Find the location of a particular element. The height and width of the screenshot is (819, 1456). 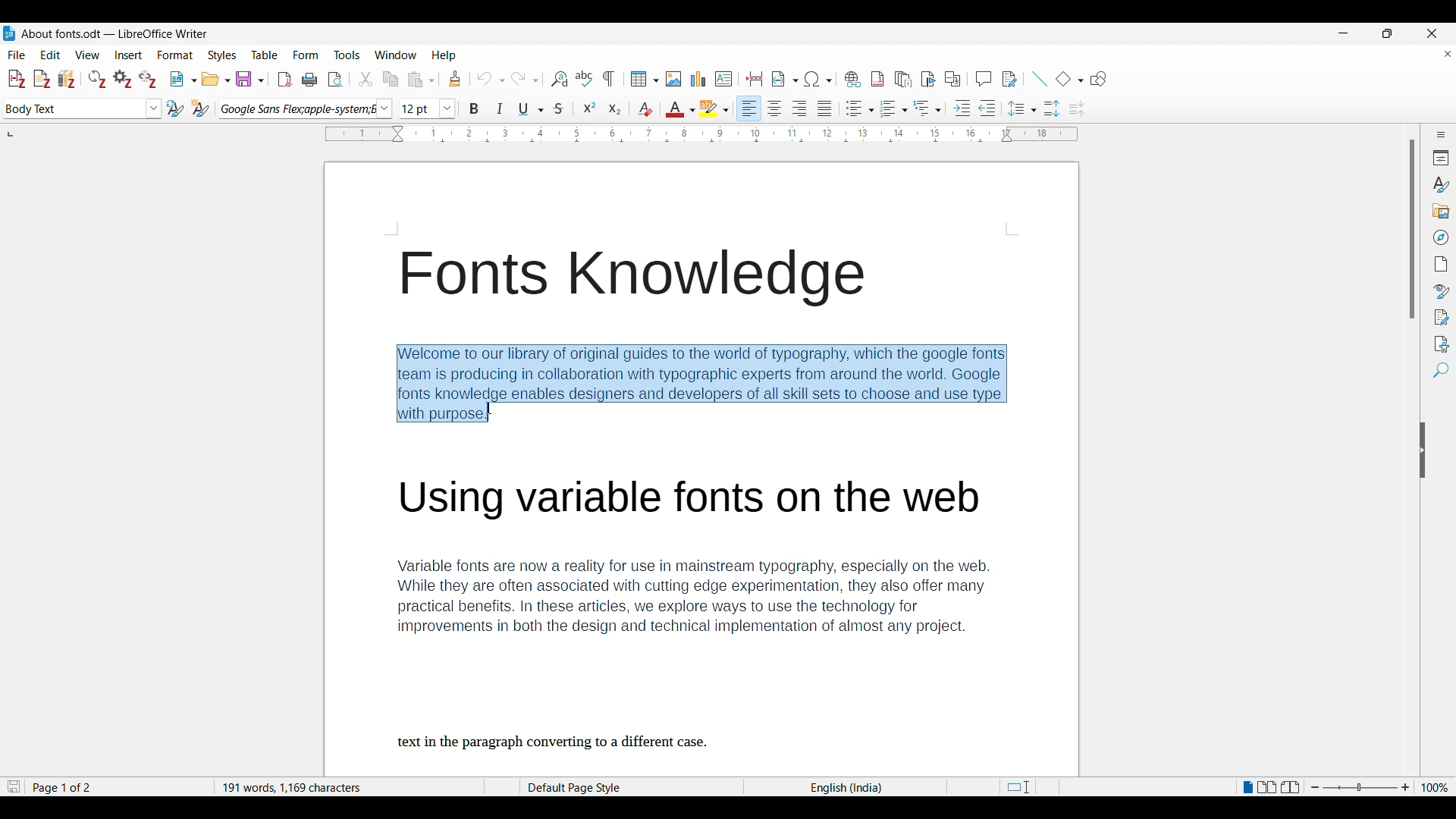

Insert menu is located at coordinates (129, 55).